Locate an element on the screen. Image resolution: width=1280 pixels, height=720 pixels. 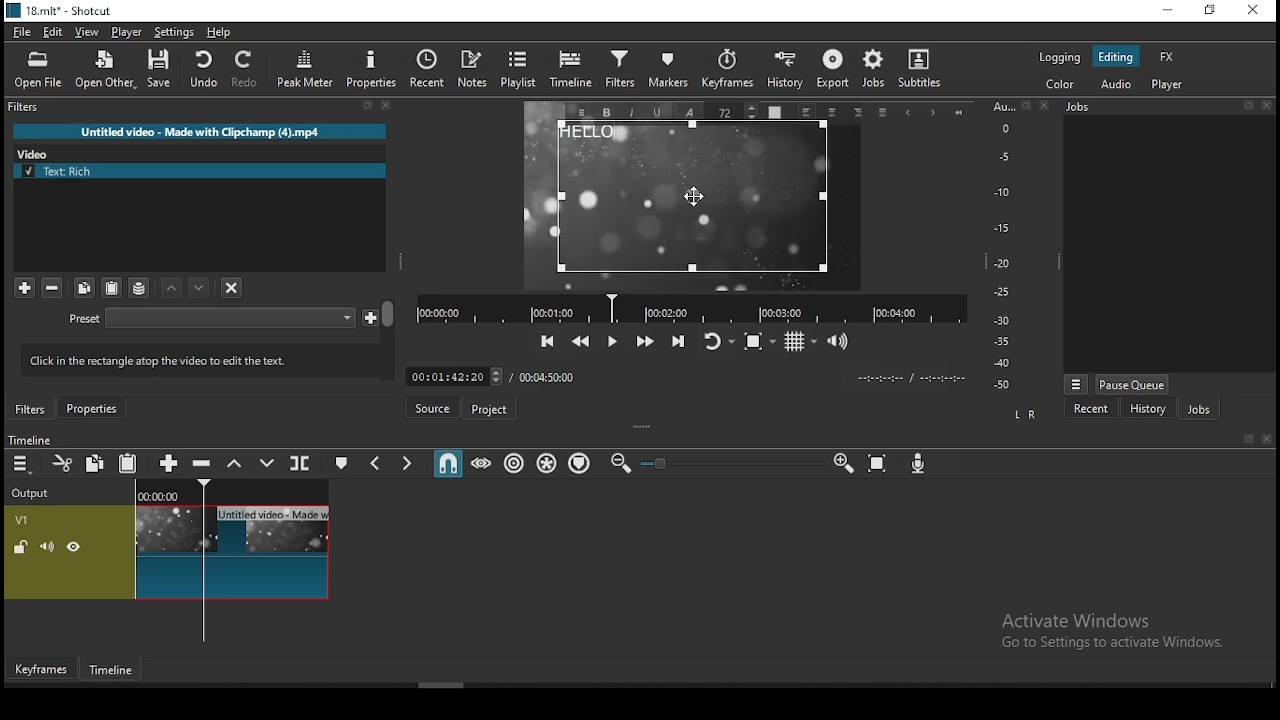
timeline is located at coordinates (113, 671).